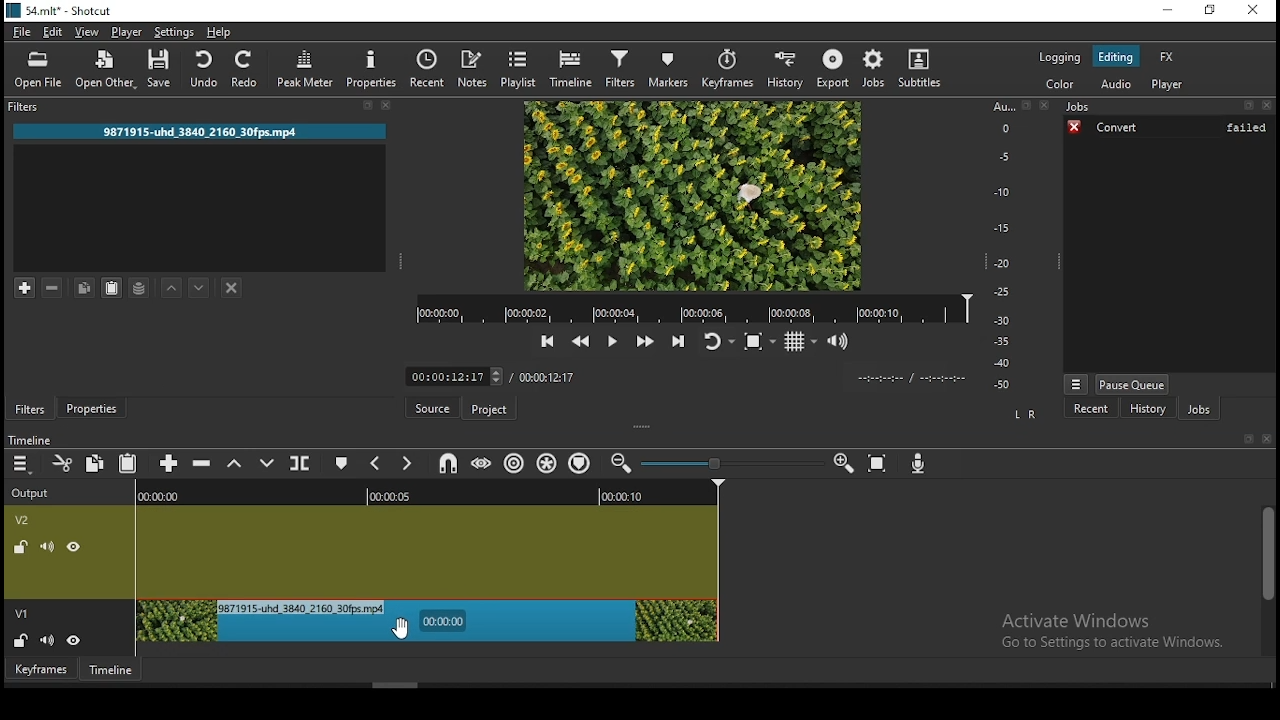 The image size is (1280, 720). I want to click on audio, so click(1117, 85).